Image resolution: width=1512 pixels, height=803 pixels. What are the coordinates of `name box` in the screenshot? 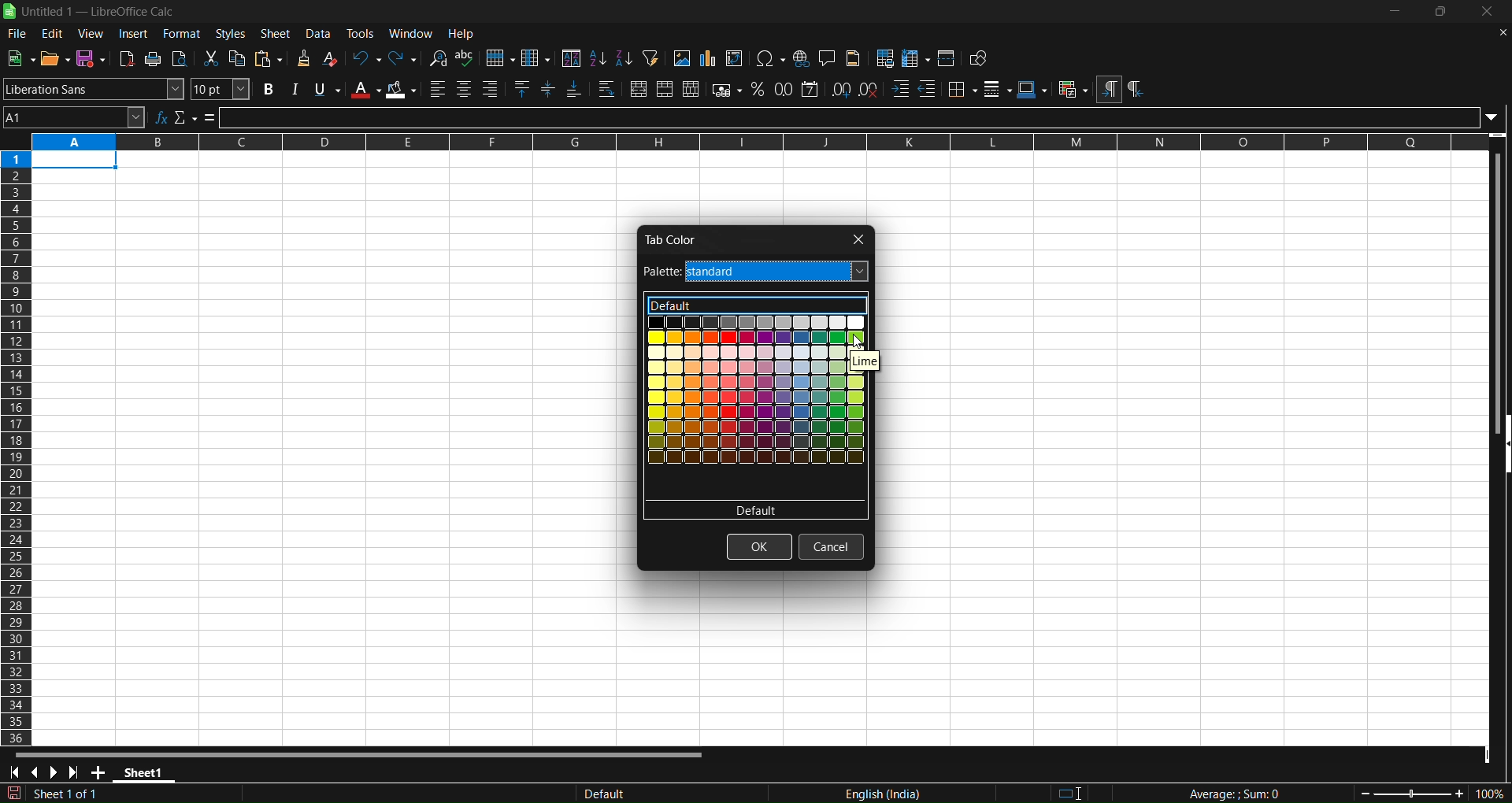 It's located at (74, 117).